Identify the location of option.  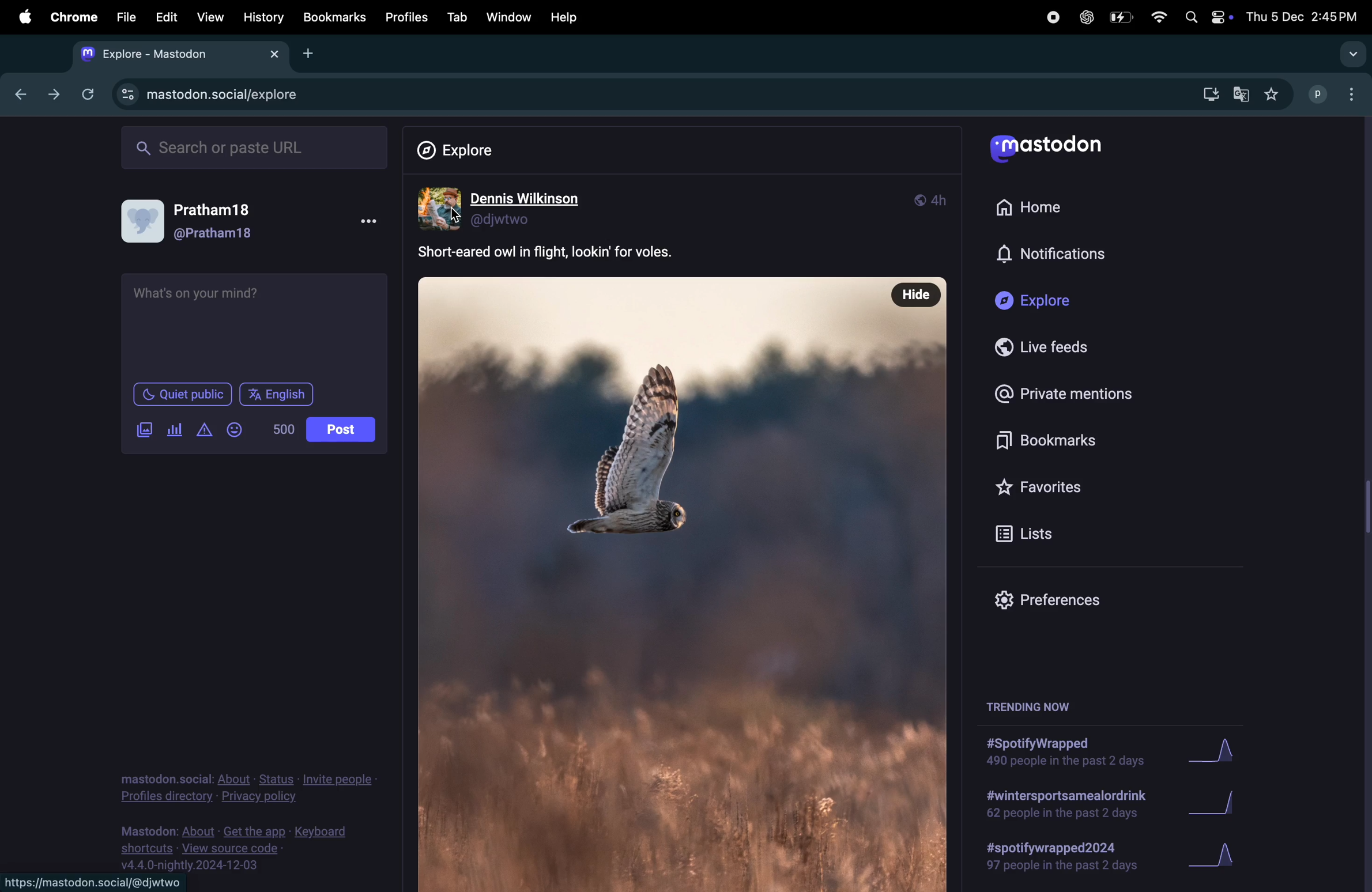
(1351, 55).